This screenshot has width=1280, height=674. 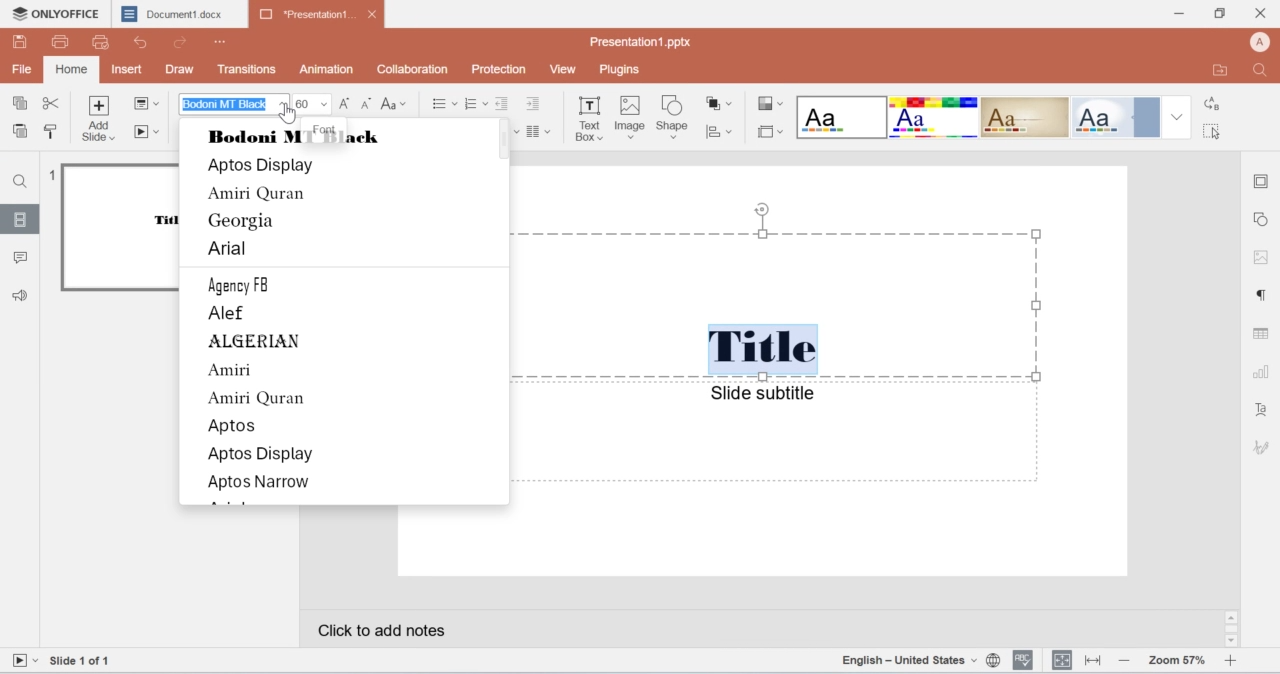 What do you see at coordinates (259, 341) in the screenshot?
I see `ALGERIAN` at bounding box center [259, 341].